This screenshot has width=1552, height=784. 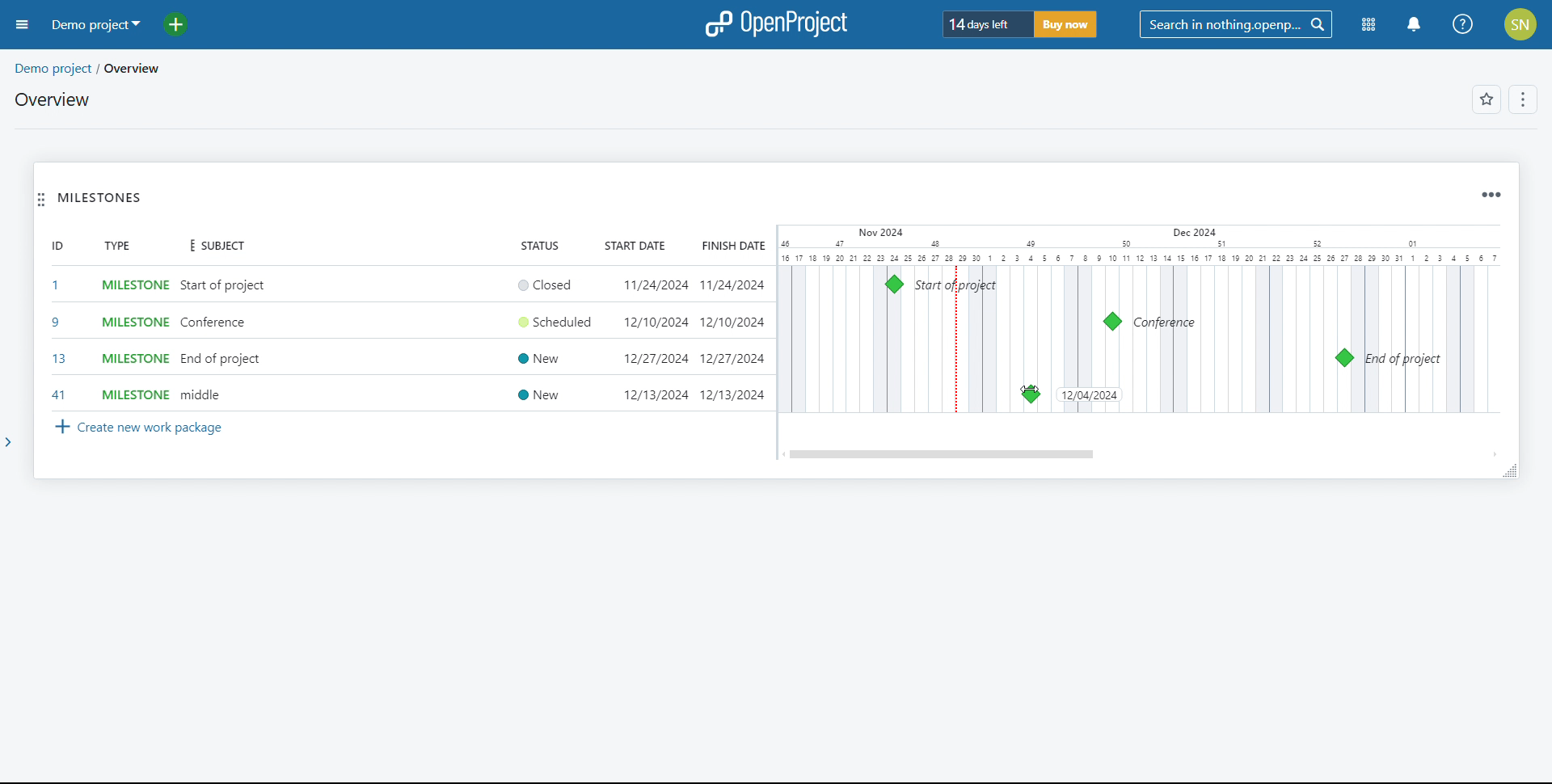 What do you see at coordinates (1491, 196) in the screenshot?
I see `widget options` at bounding box center [1491, 196].